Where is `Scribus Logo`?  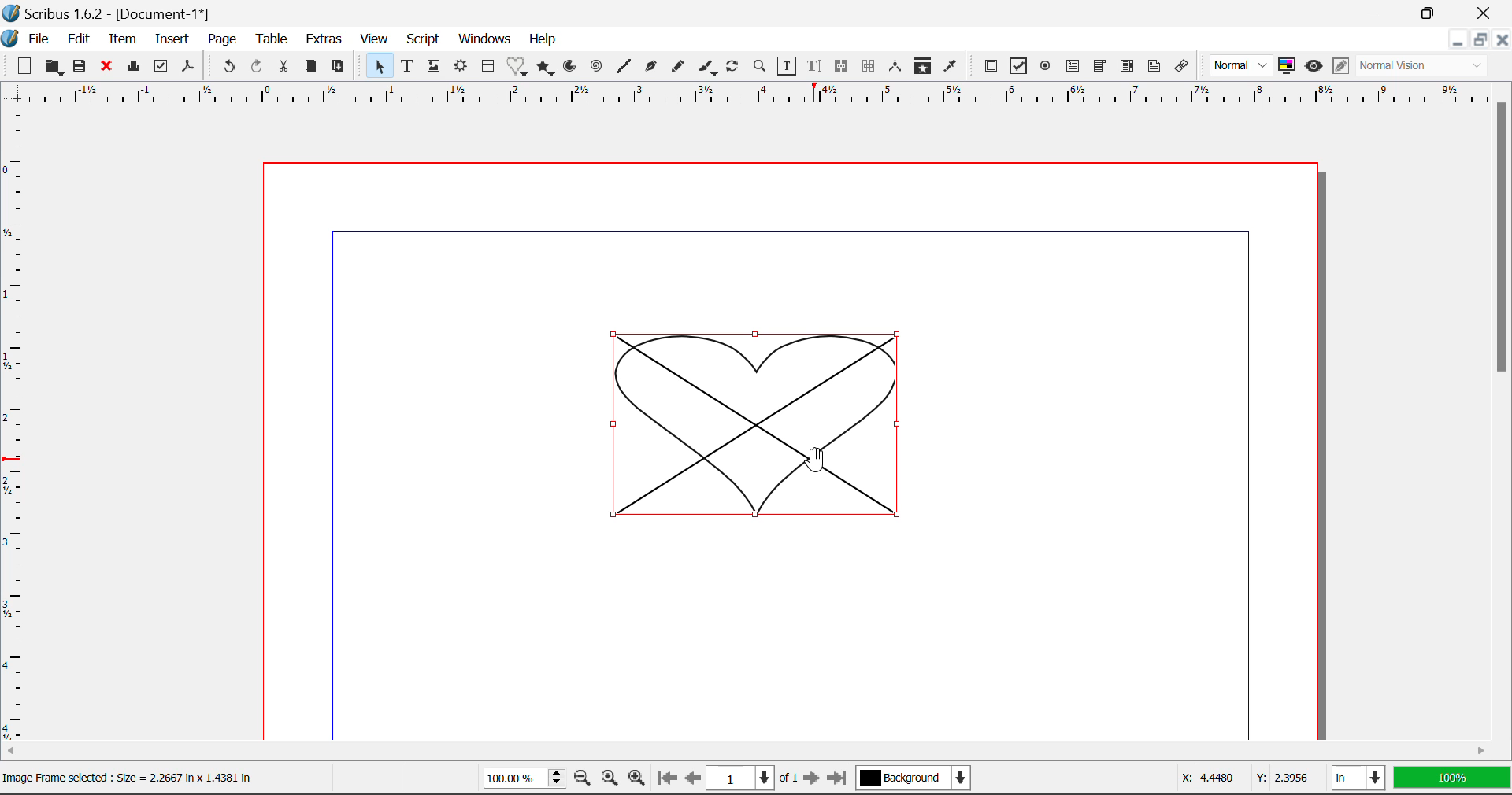 Scribus Logo is located at coordinates (9, 39).